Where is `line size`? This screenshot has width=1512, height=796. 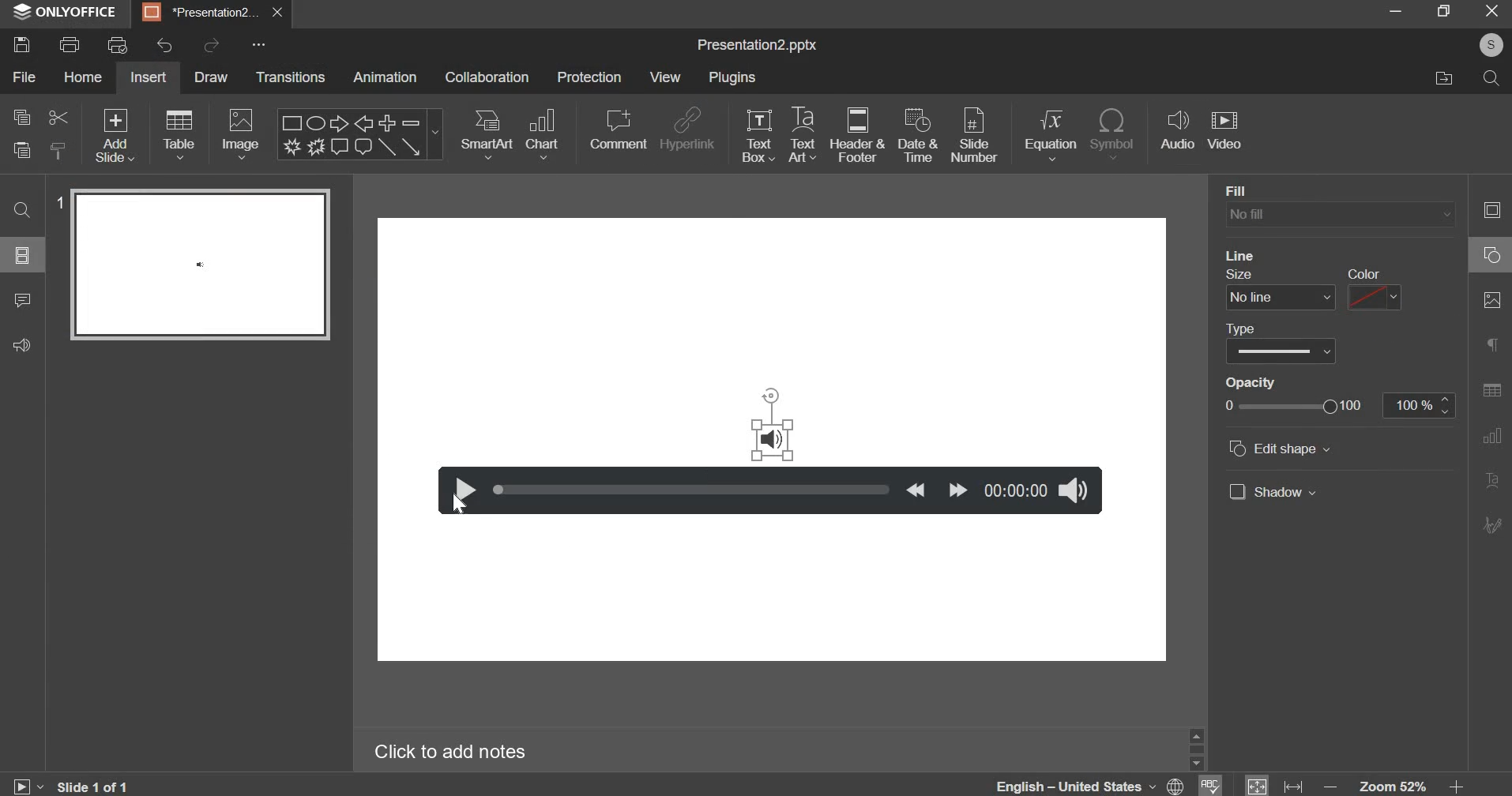
line size is located at coordinates (1281, 298).